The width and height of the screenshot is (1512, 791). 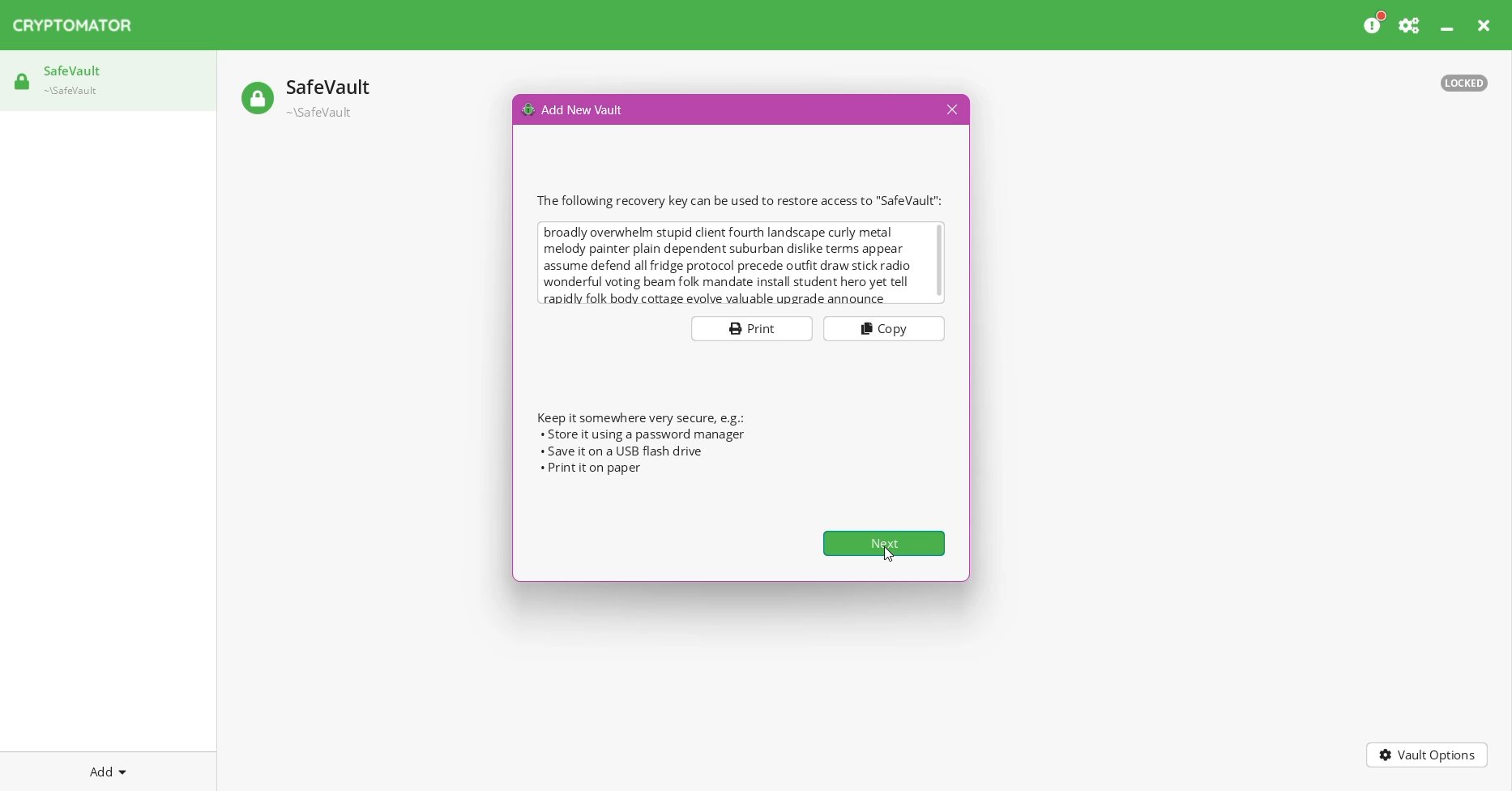 What do you see at coordinates (889, 554) in the screenshot?
I see `Cursor` at bounding box center [889, 554].